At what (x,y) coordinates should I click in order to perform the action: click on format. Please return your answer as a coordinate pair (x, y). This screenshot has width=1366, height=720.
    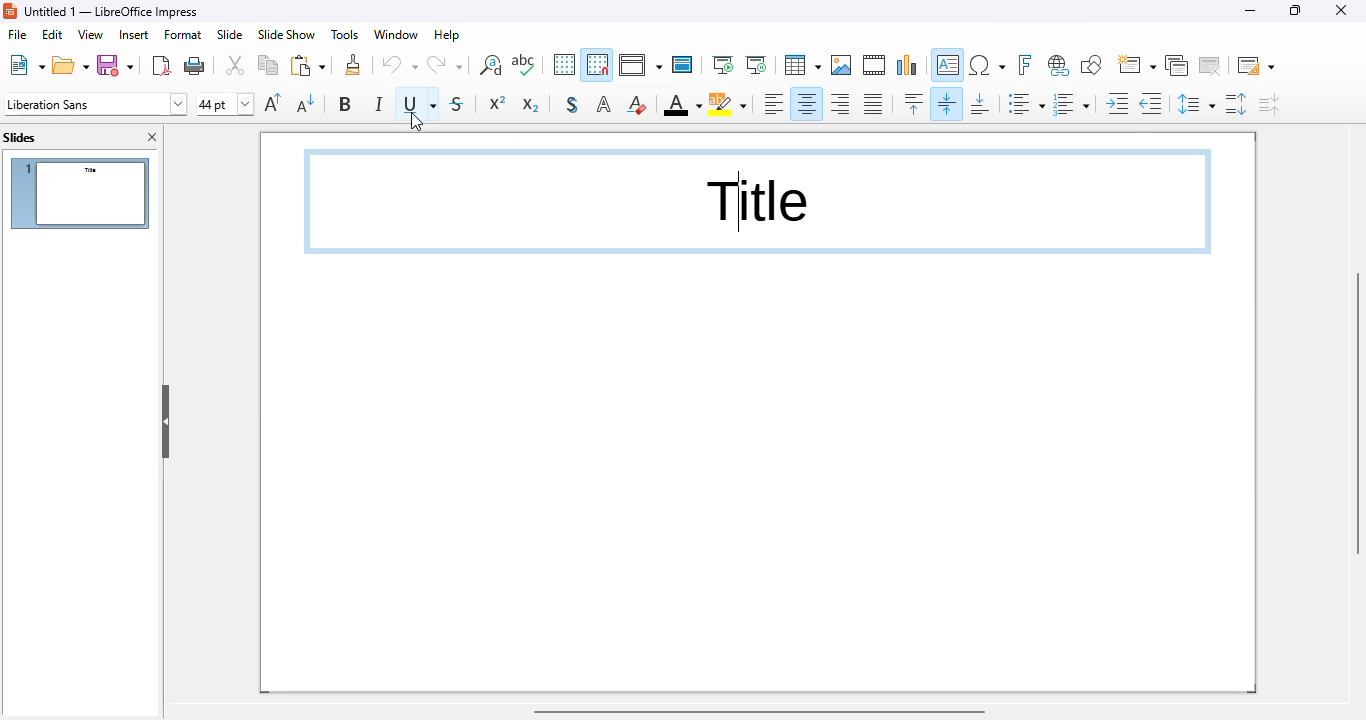
    Looking at the image, I should click on (184, 35).